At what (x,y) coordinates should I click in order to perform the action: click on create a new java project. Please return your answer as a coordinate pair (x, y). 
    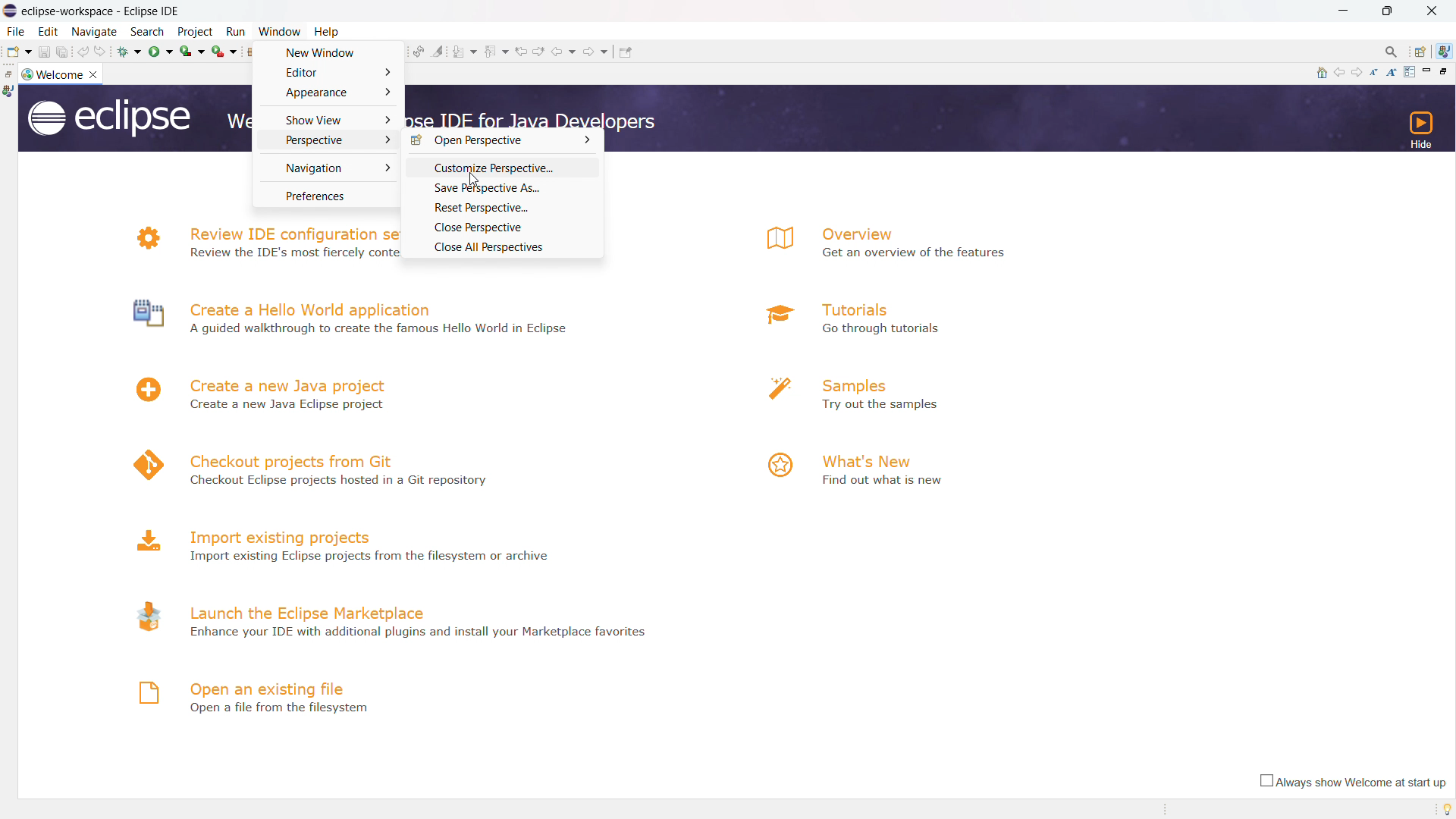
    Looking at the image, I should click on (290, 384).